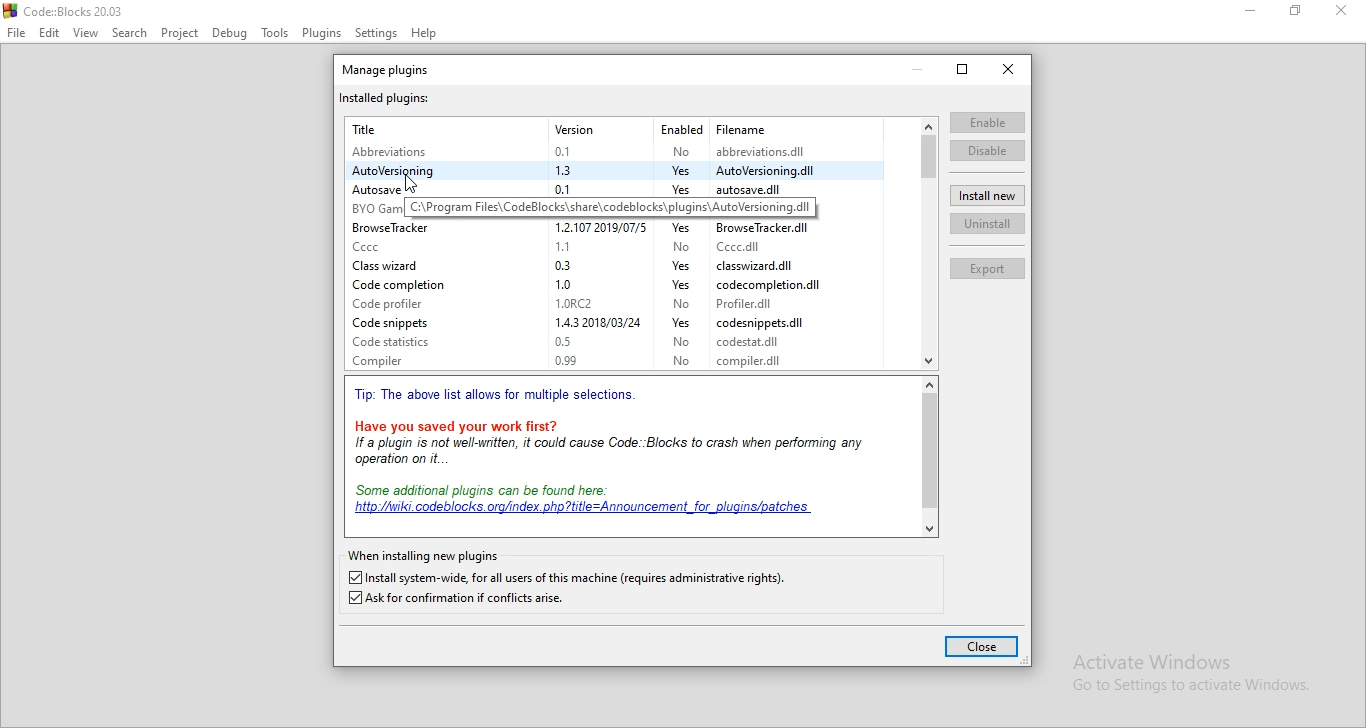  Describe the element at coordinates (679, 151) in the screenshot. I see `No` at that location.